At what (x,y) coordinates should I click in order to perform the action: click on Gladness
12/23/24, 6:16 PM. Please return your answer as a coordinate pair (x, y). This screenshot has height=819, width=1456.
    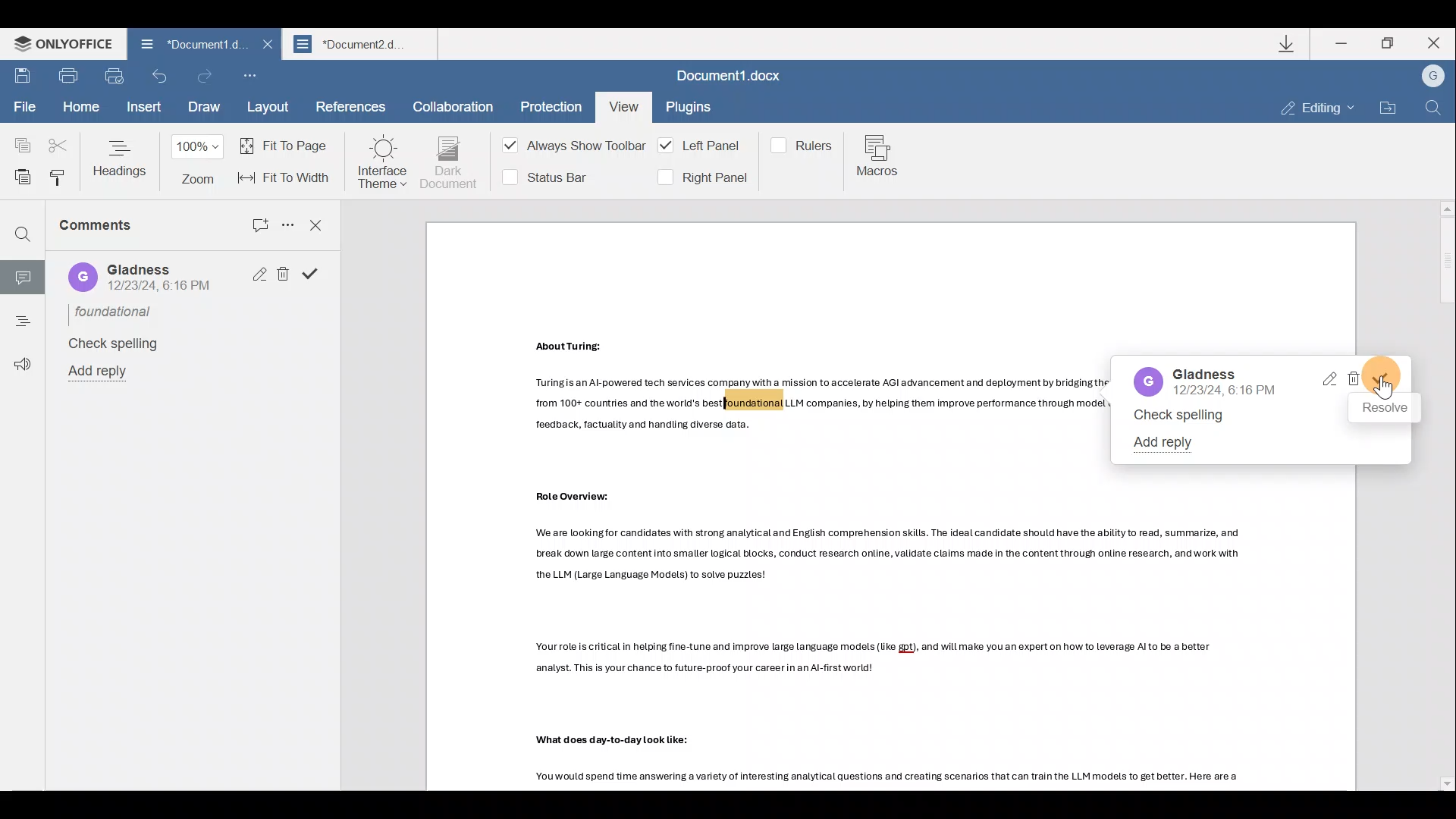
    Looking at the image, I should click on (1204, 381).